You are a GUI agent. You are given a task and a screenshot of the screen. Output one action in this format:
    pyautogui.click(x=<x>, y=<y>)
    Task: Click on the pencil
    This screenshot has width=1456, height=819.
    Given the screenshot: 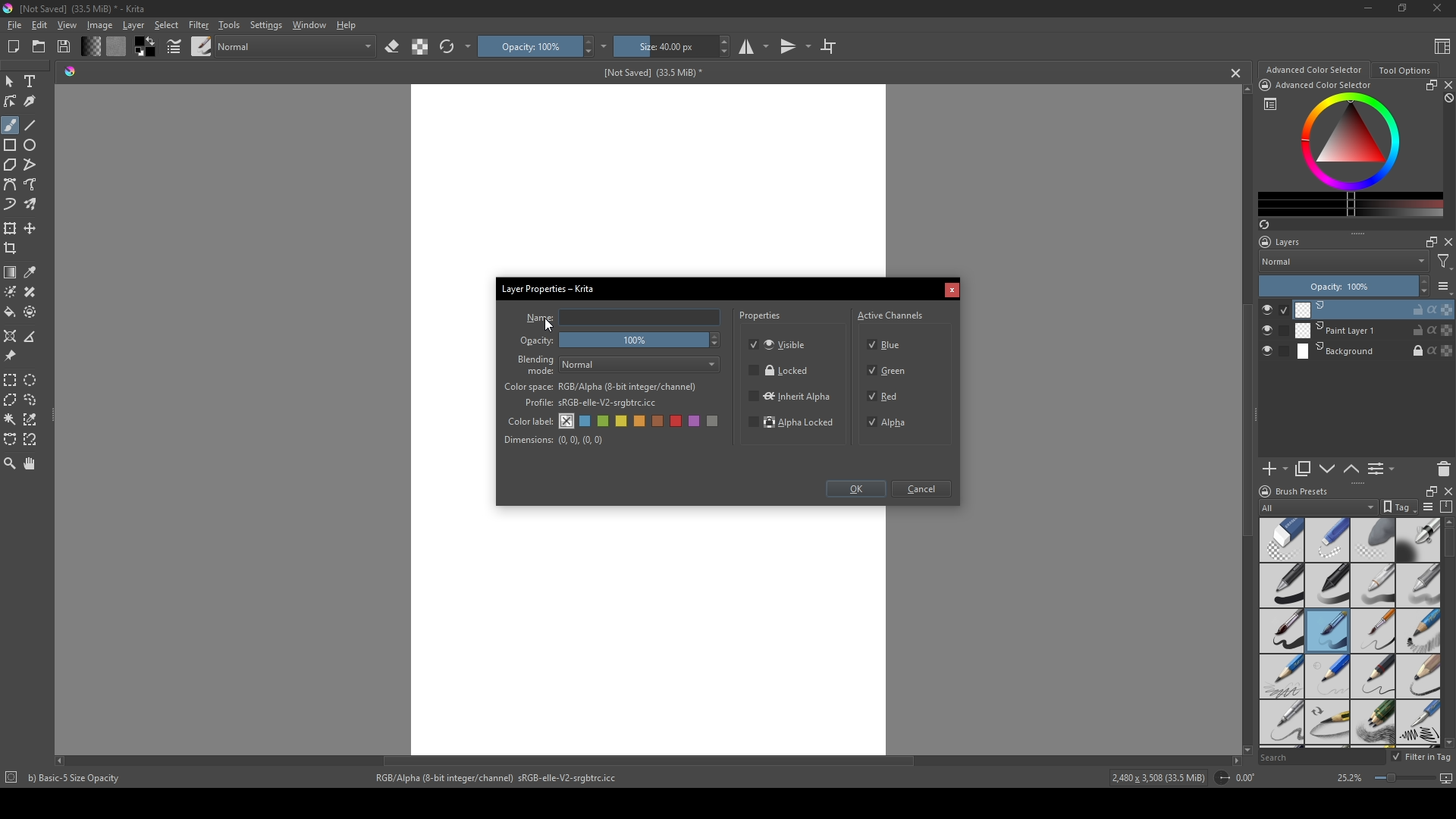 What is the action you would take?
    pyautogui.click(x=1419, y=632)
    